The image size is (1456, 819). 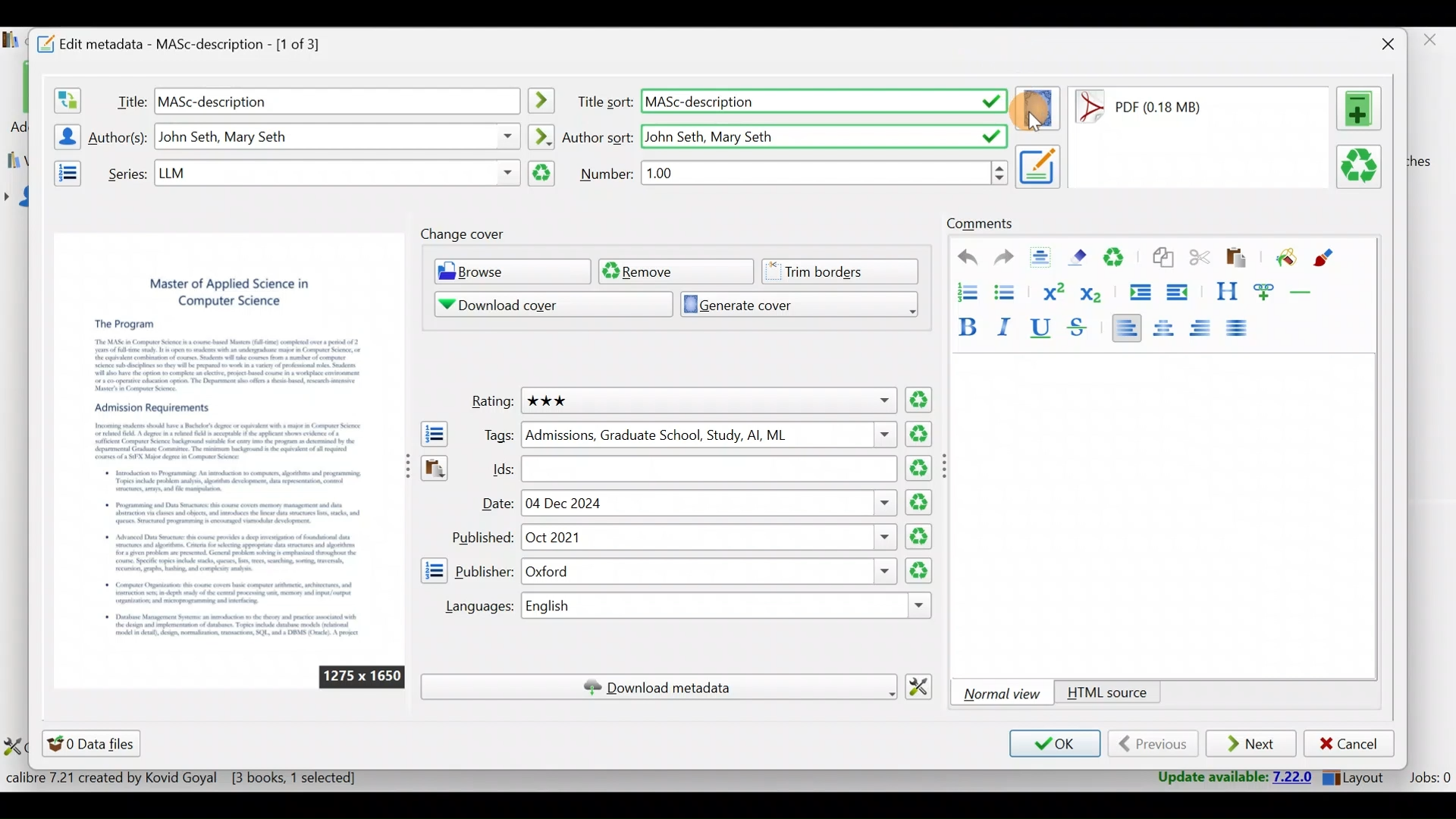 What do you see at coordinates (948, 466) in the screenshot?
I see `` at bounding box center [948, 466].